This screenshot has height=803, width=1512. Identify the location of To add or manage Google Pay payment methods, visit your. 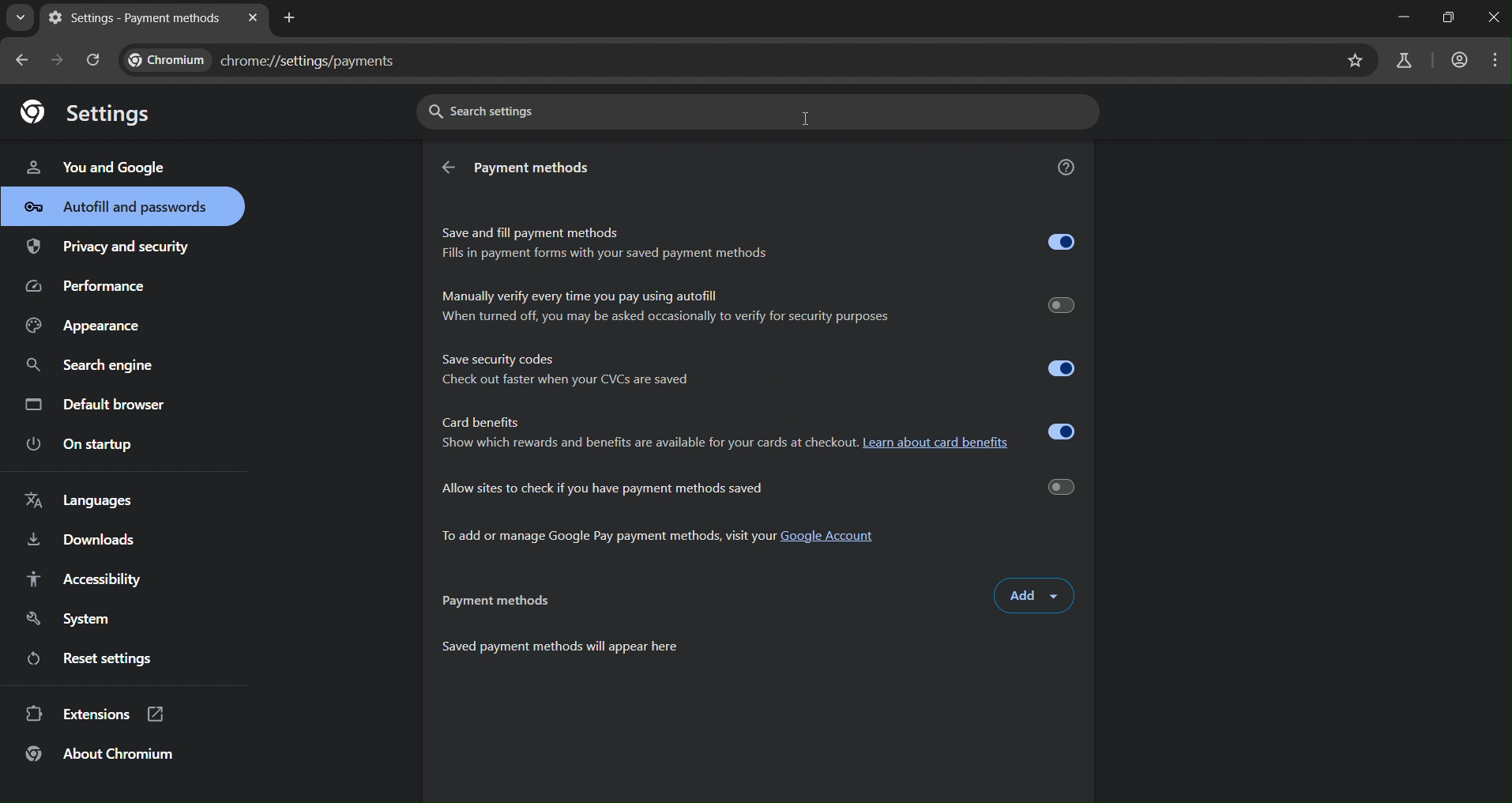
(597, 537).